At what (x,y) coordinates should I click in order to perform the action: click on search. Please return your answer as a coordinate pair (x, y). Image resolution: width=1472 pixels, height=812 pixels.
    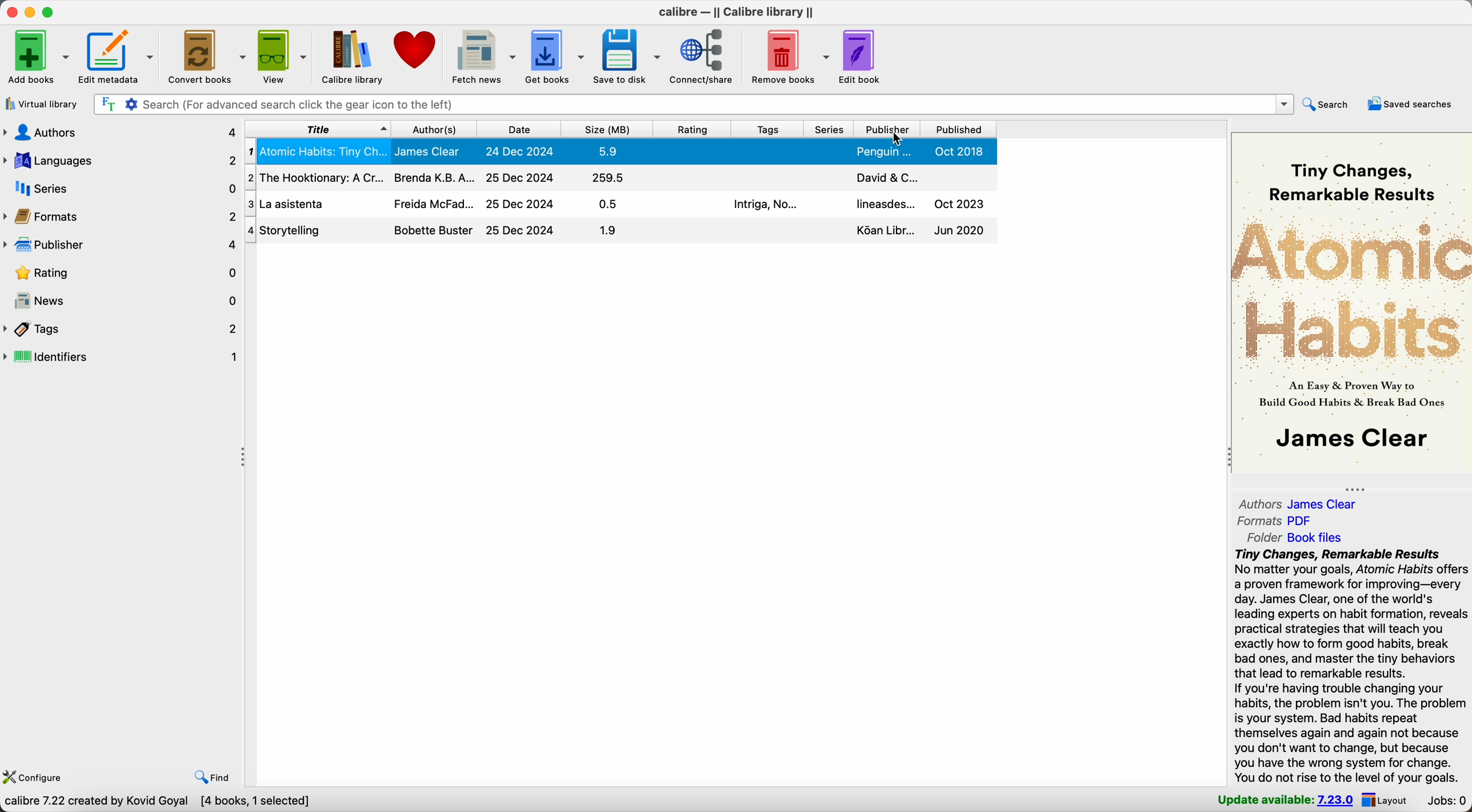
    Looking at the image, I should click on (1330, 103).